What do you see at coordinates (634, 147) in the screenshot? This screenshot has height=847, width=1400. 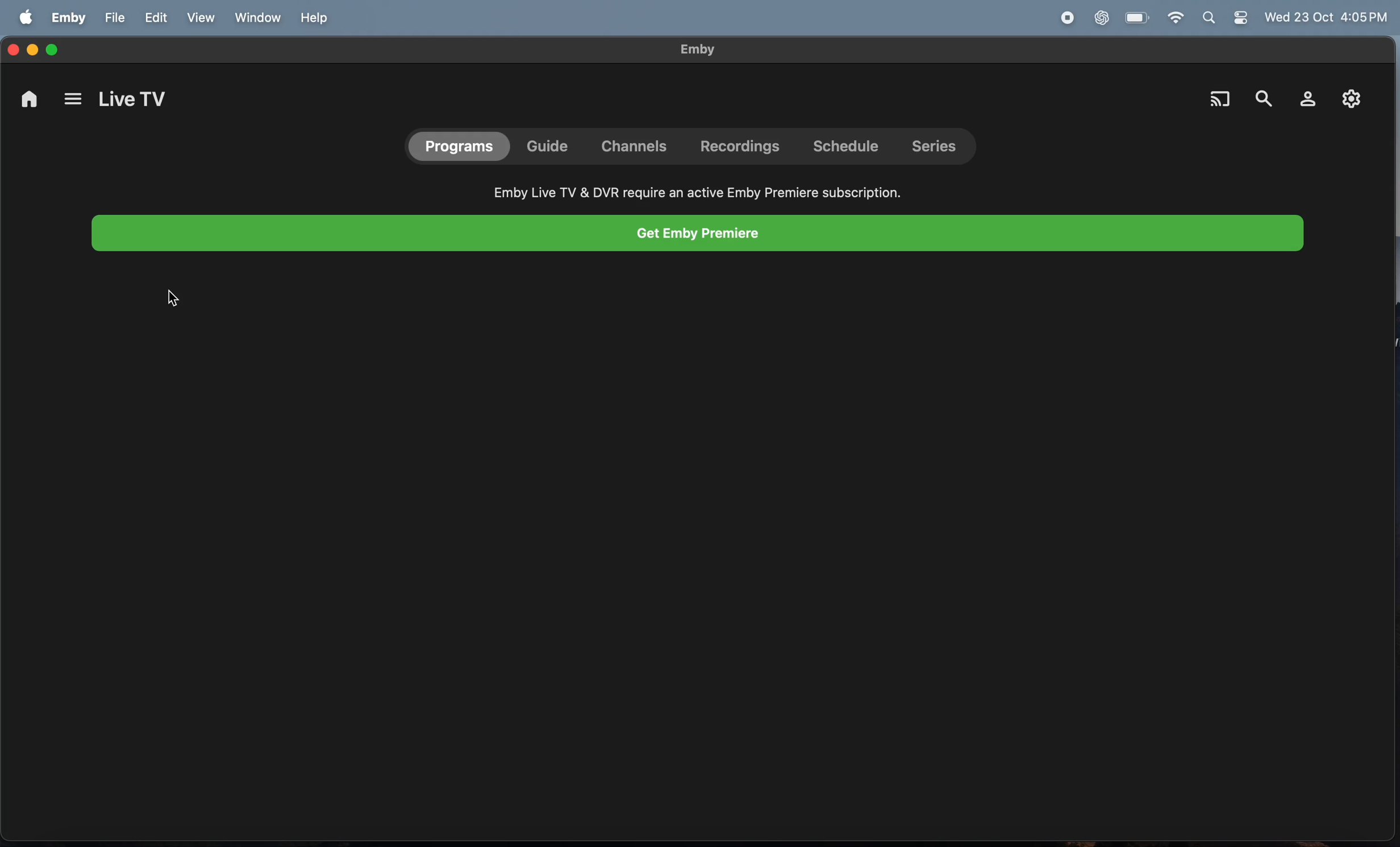 I see `channels` at bounding box center [634, 147].